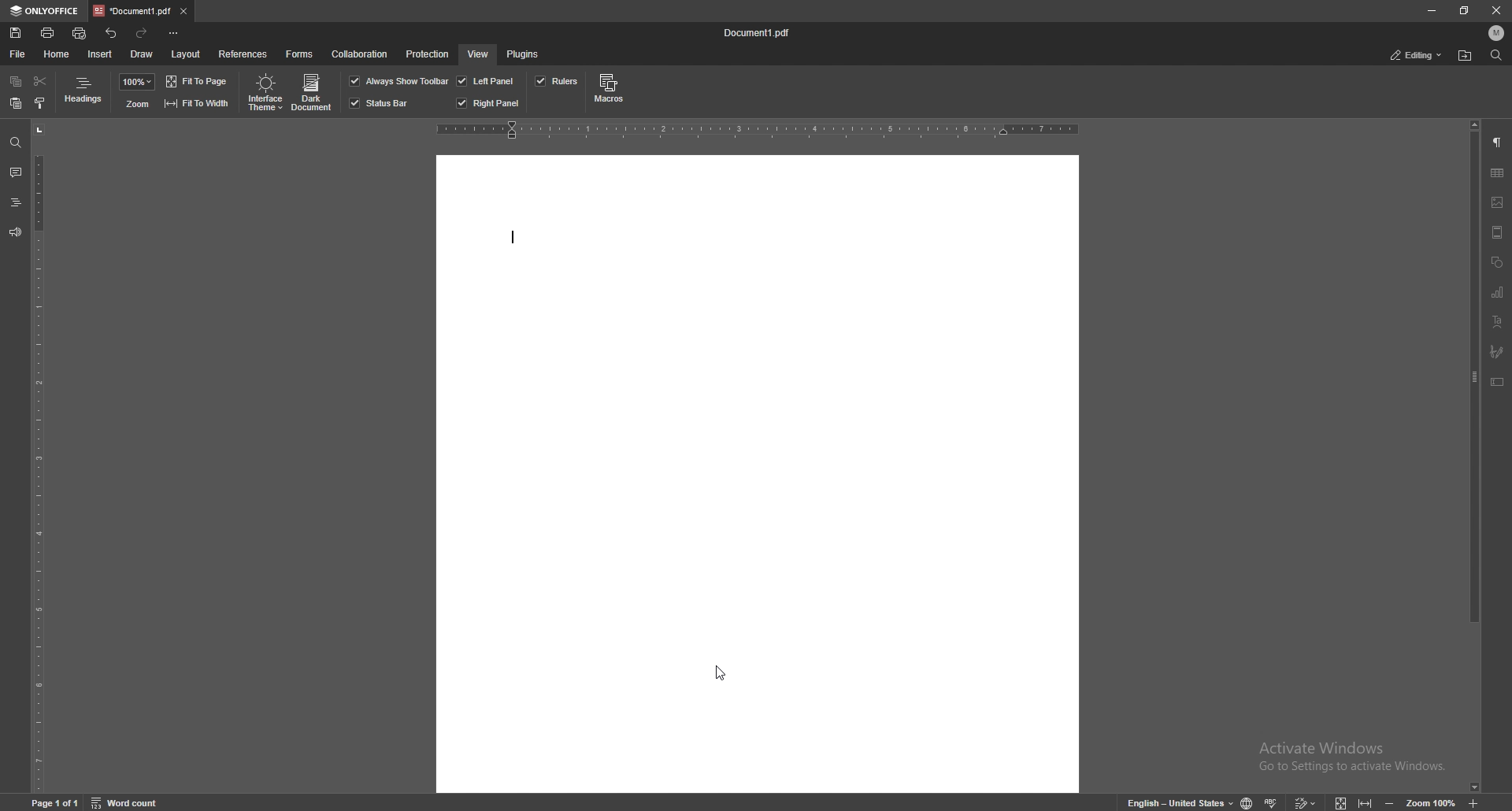  What do you see at coordinates (185, 54) in the screenshot?
I see `layout` at bounding box center [185, 54].